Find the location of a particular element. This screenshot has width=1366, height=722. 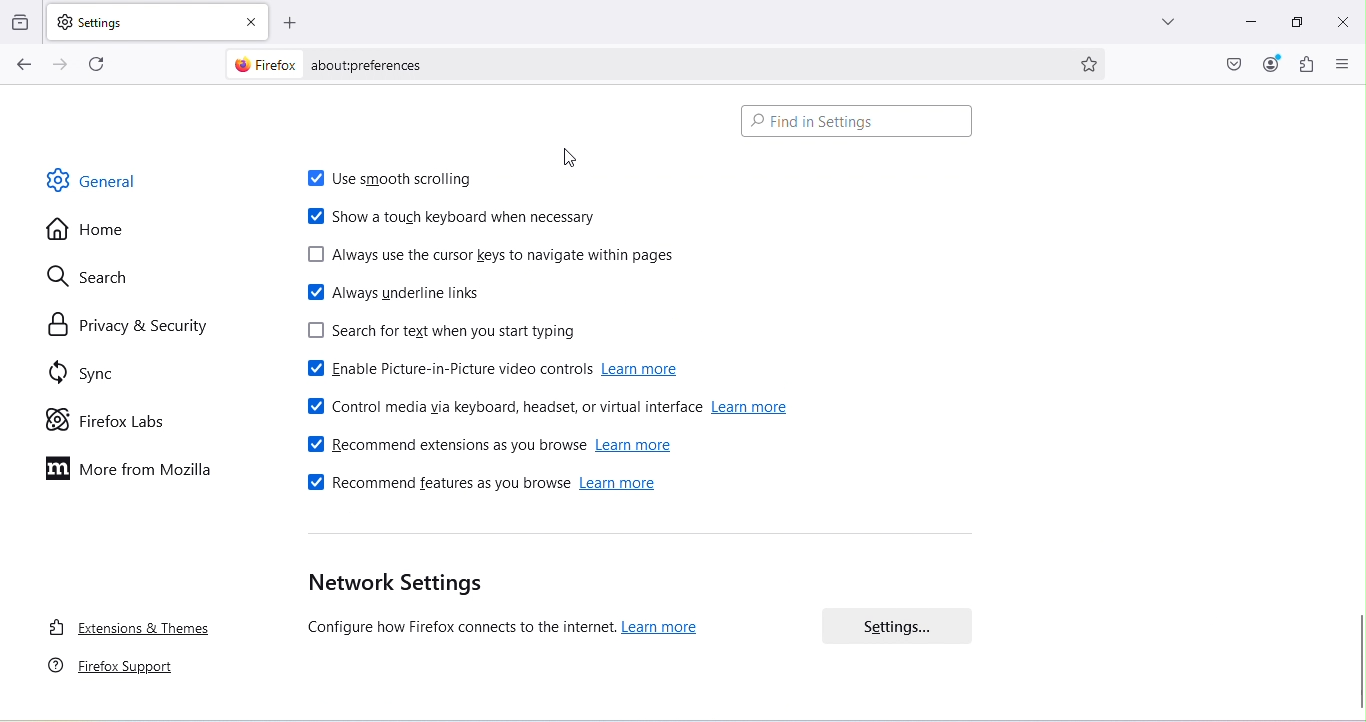

Close tab is located at coordinates (254, 23).